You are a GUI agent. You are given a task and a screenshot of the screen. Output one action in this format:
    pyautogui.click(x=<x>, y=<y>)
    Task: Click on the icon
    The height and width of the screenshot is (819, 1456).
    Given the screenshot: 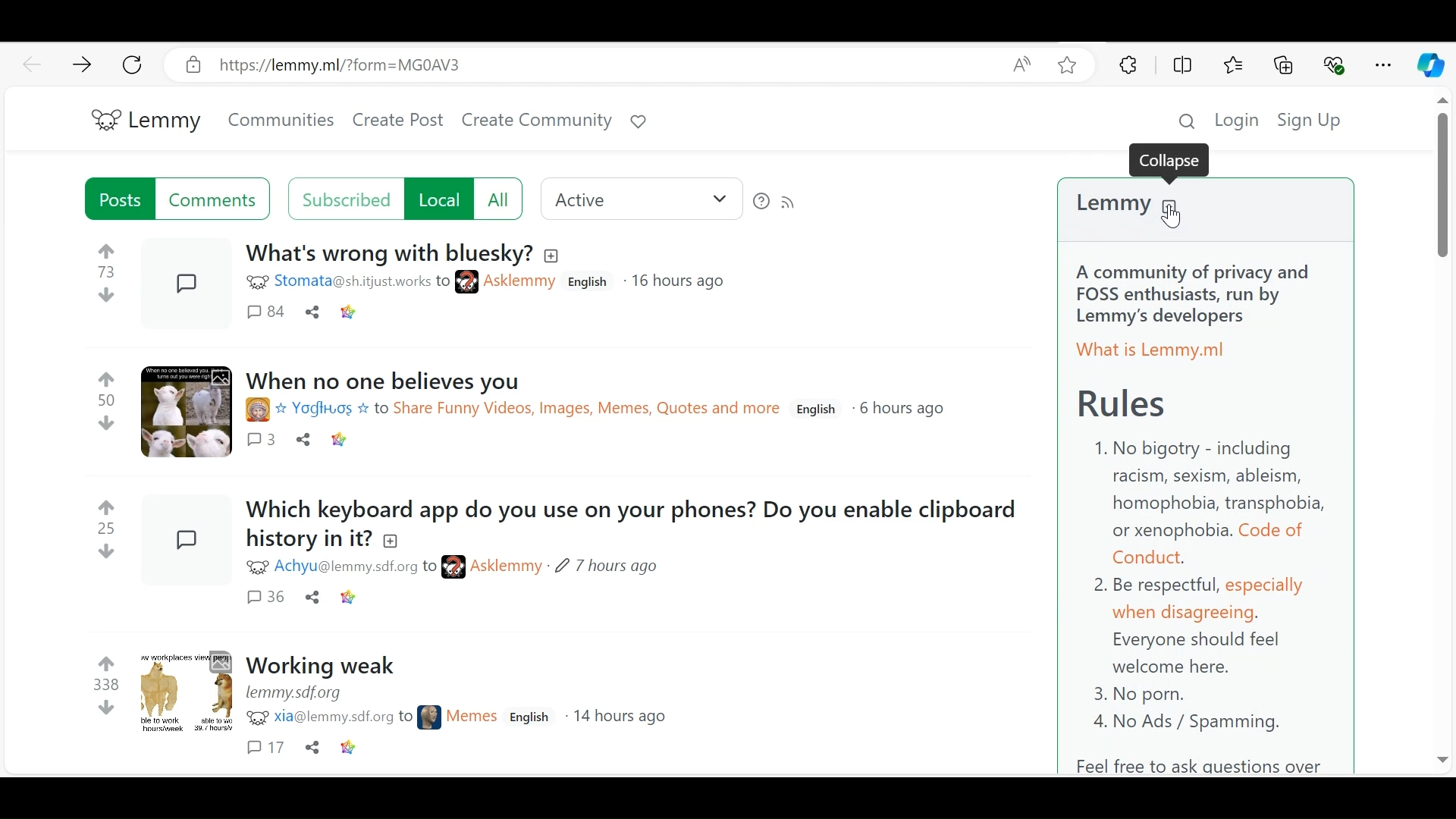 What is the action you would take?
    pyautogui.click(x=430, y=716)
    